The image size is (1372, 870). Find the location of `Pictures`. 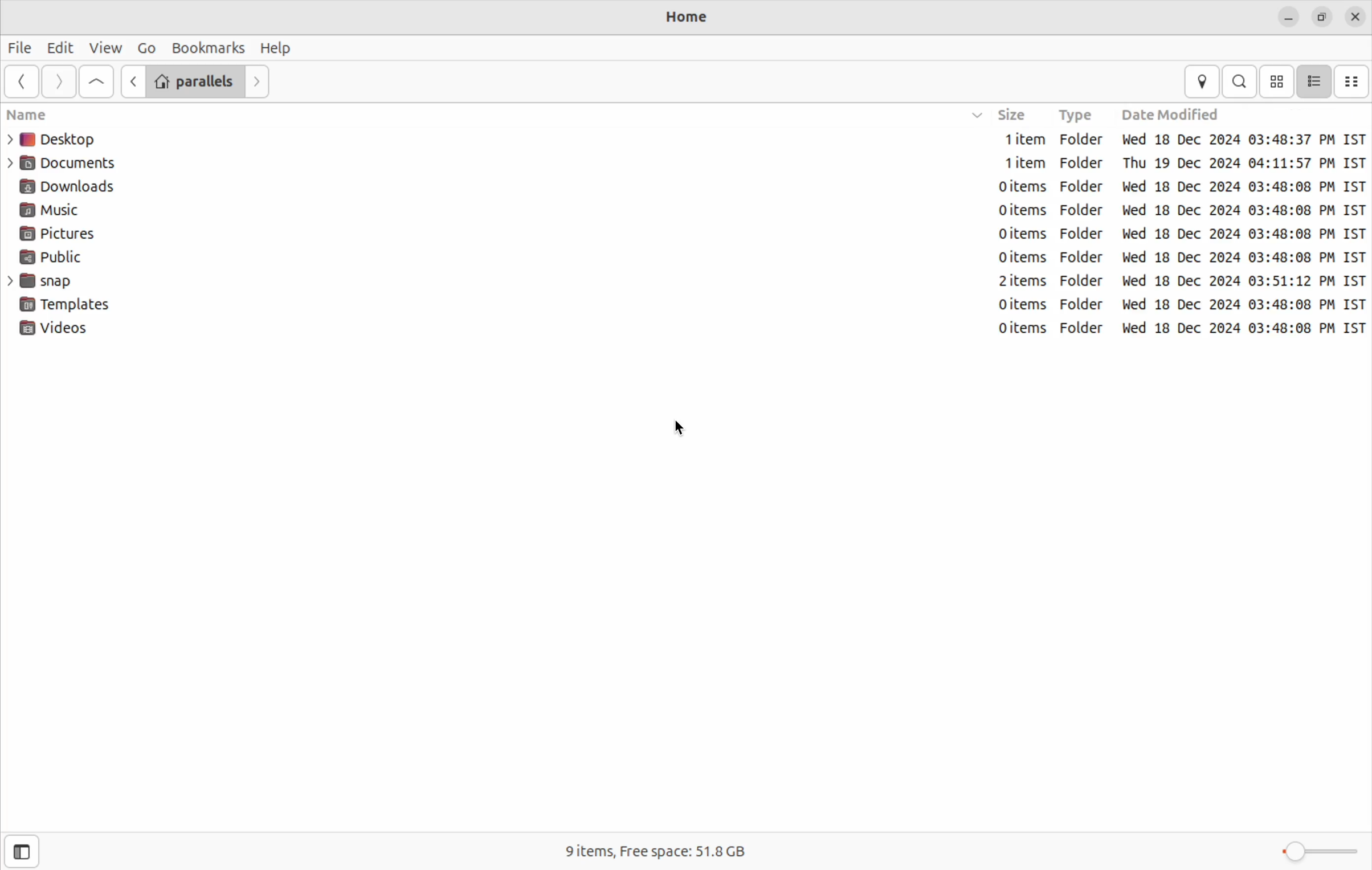

Pictures is located at coordinates (67, 234).